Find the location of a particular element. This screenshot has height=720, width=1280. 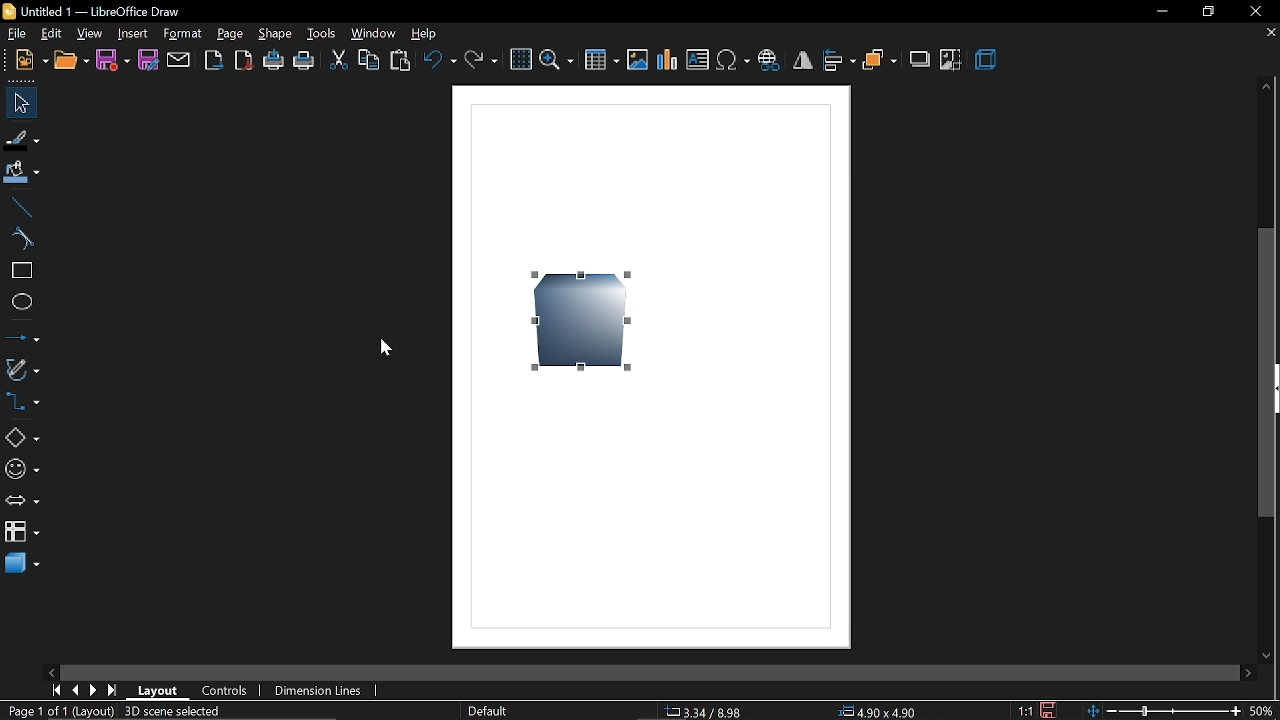

insert table is located at coordinates (602, 60).